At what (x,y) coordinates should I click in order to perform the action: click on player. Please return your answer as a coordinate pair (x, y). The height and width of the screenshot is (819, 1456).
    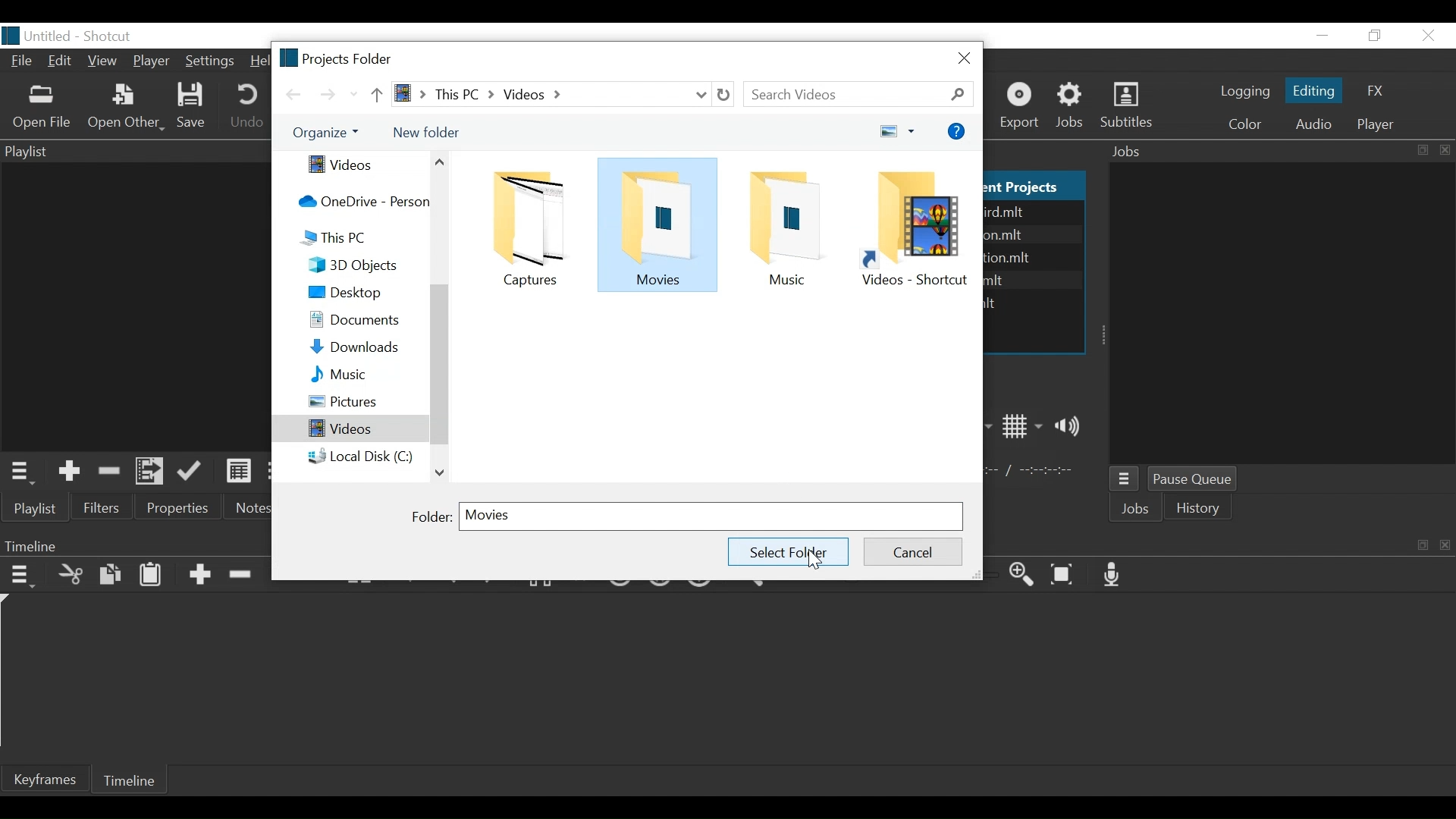
    Looking at the image, I should click on (1373, 124).